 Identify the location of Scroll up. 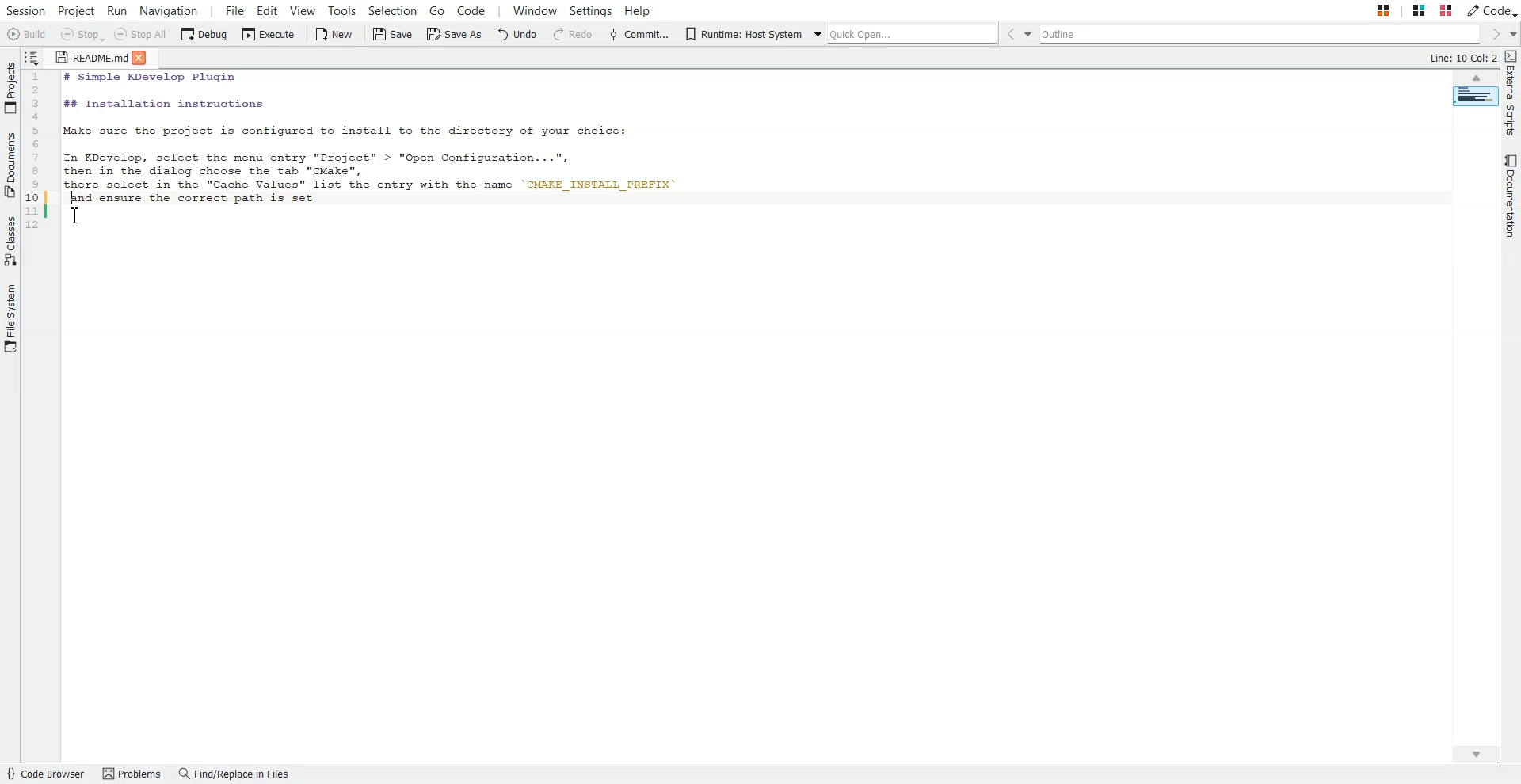
(1475, 77).